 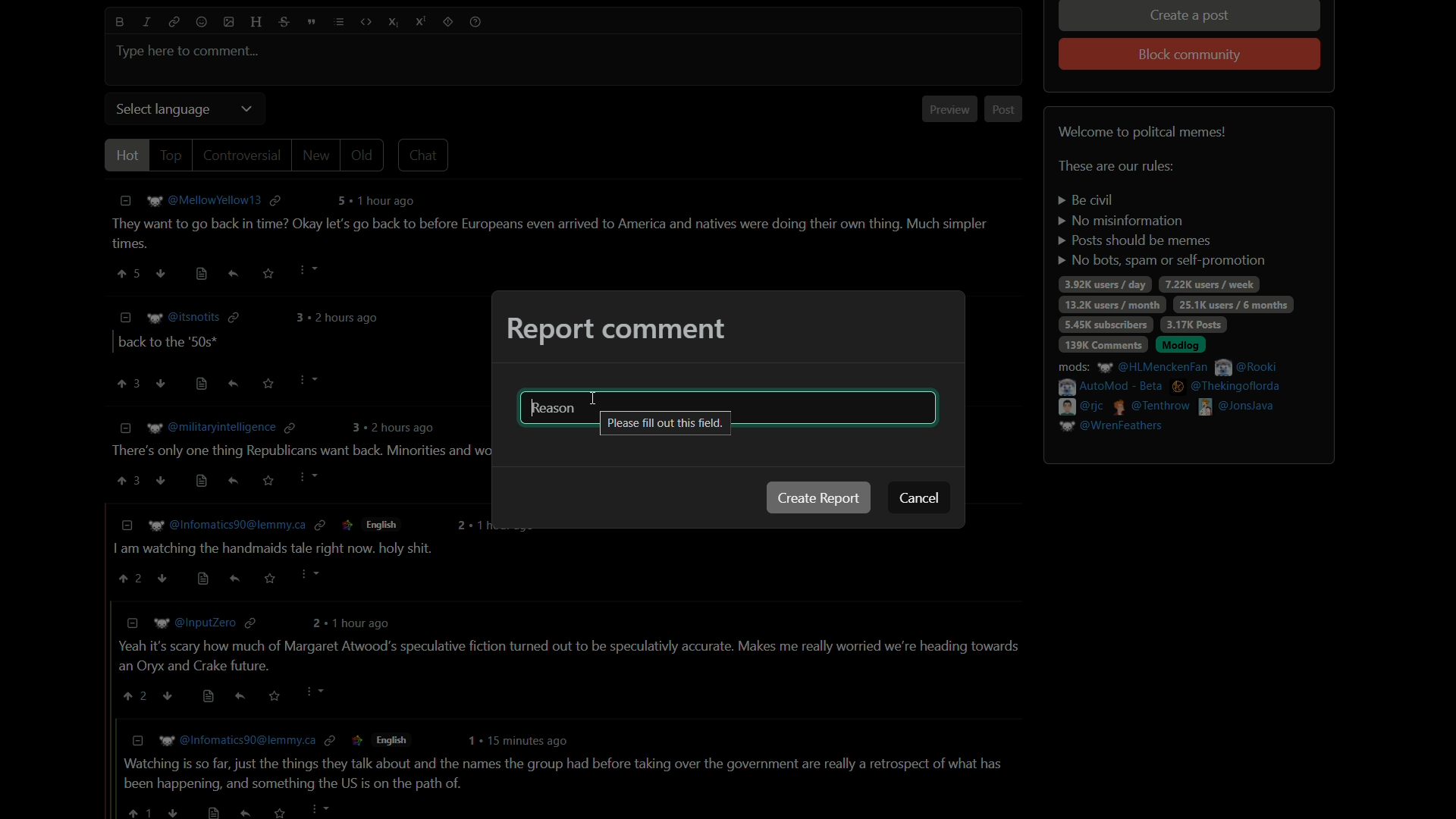 What do you see at coordinates (268, 385) in the screenshot?
I see `save` at bounding box center [268, 385].